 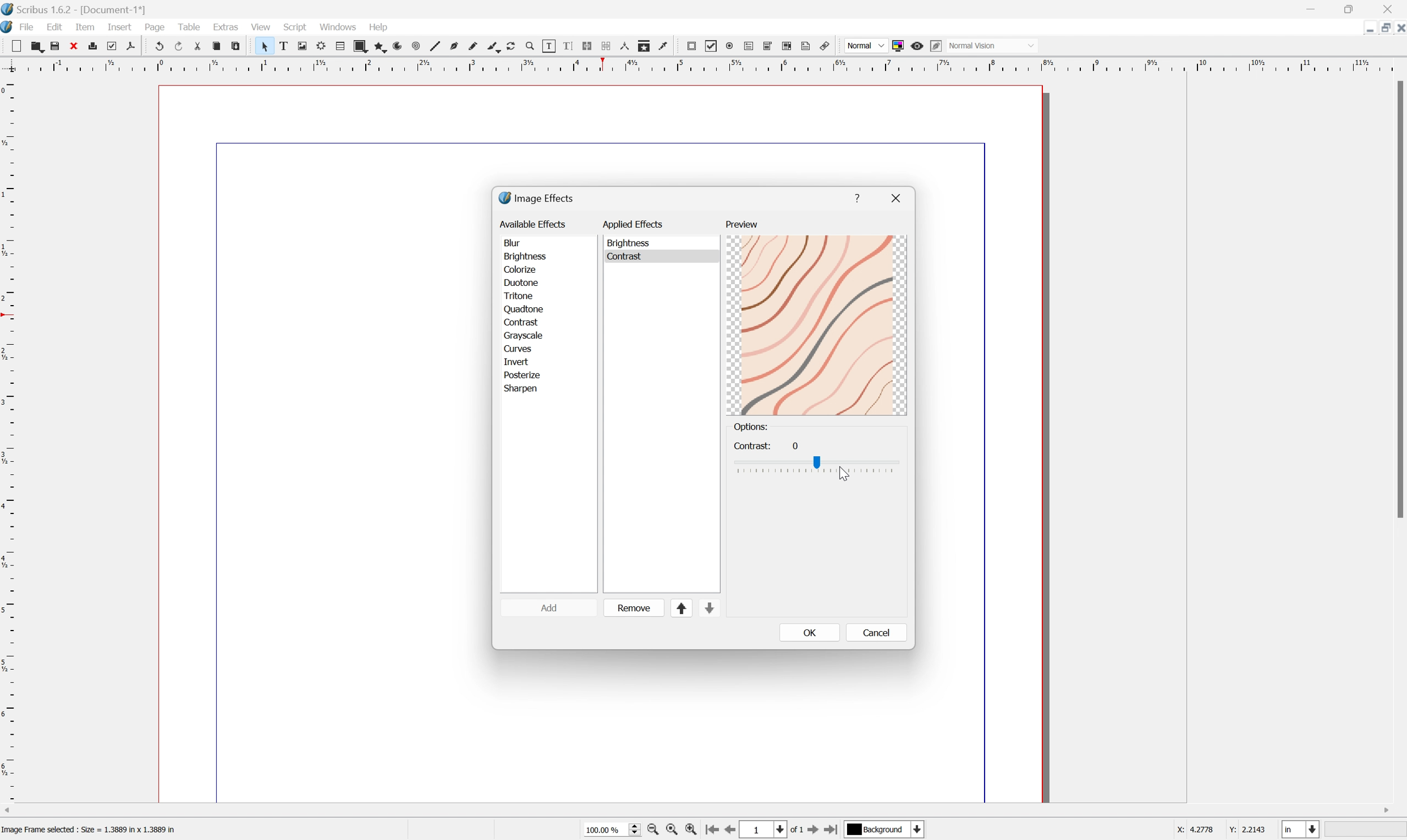 I want to click on Image frame, so click(x=301, y=44).